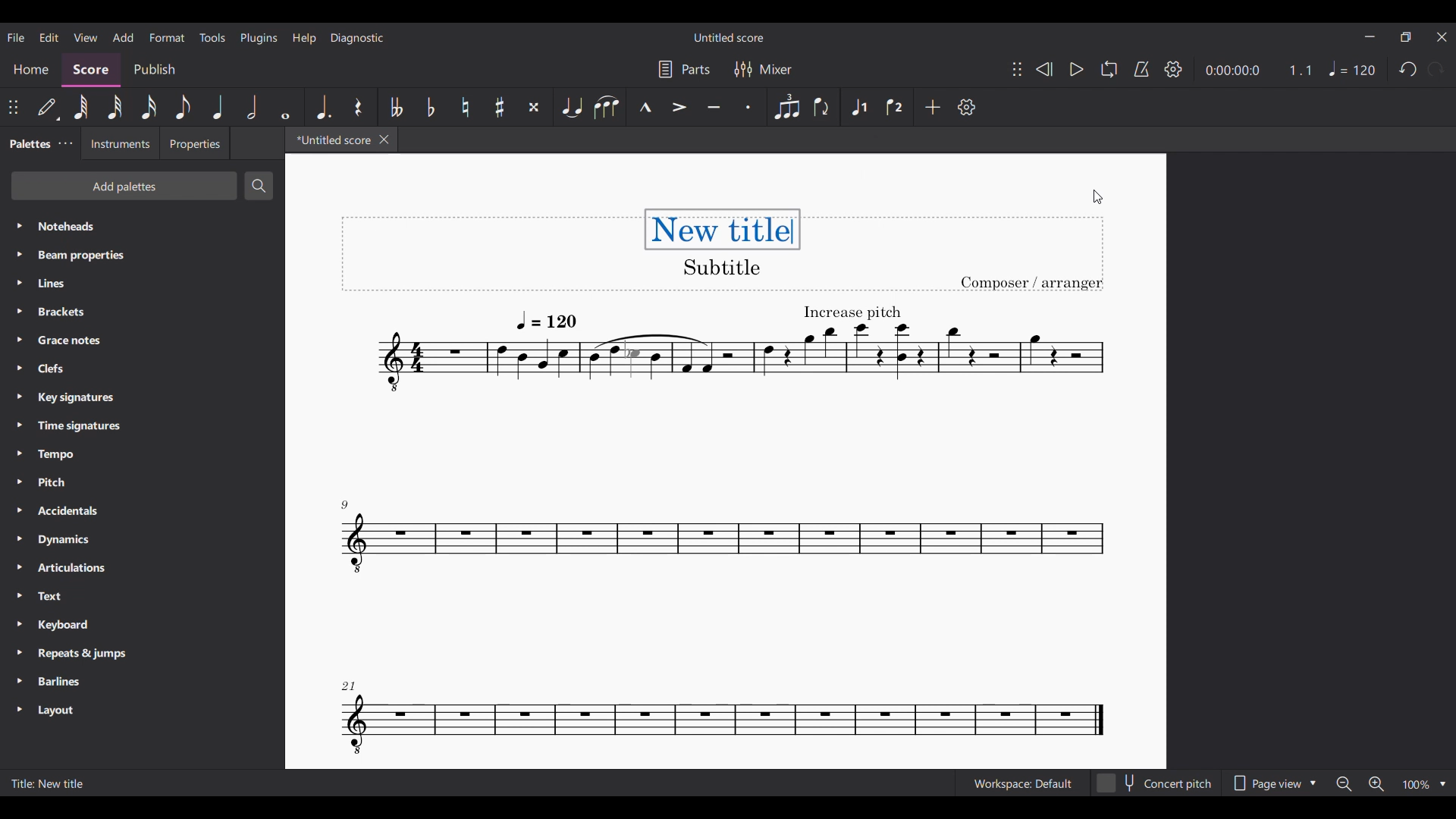 The height and width of the screenshot is (819, 1456). Describe the element at coordinates (49, 37) in the screenshot. I see `Edit menu` at that location.